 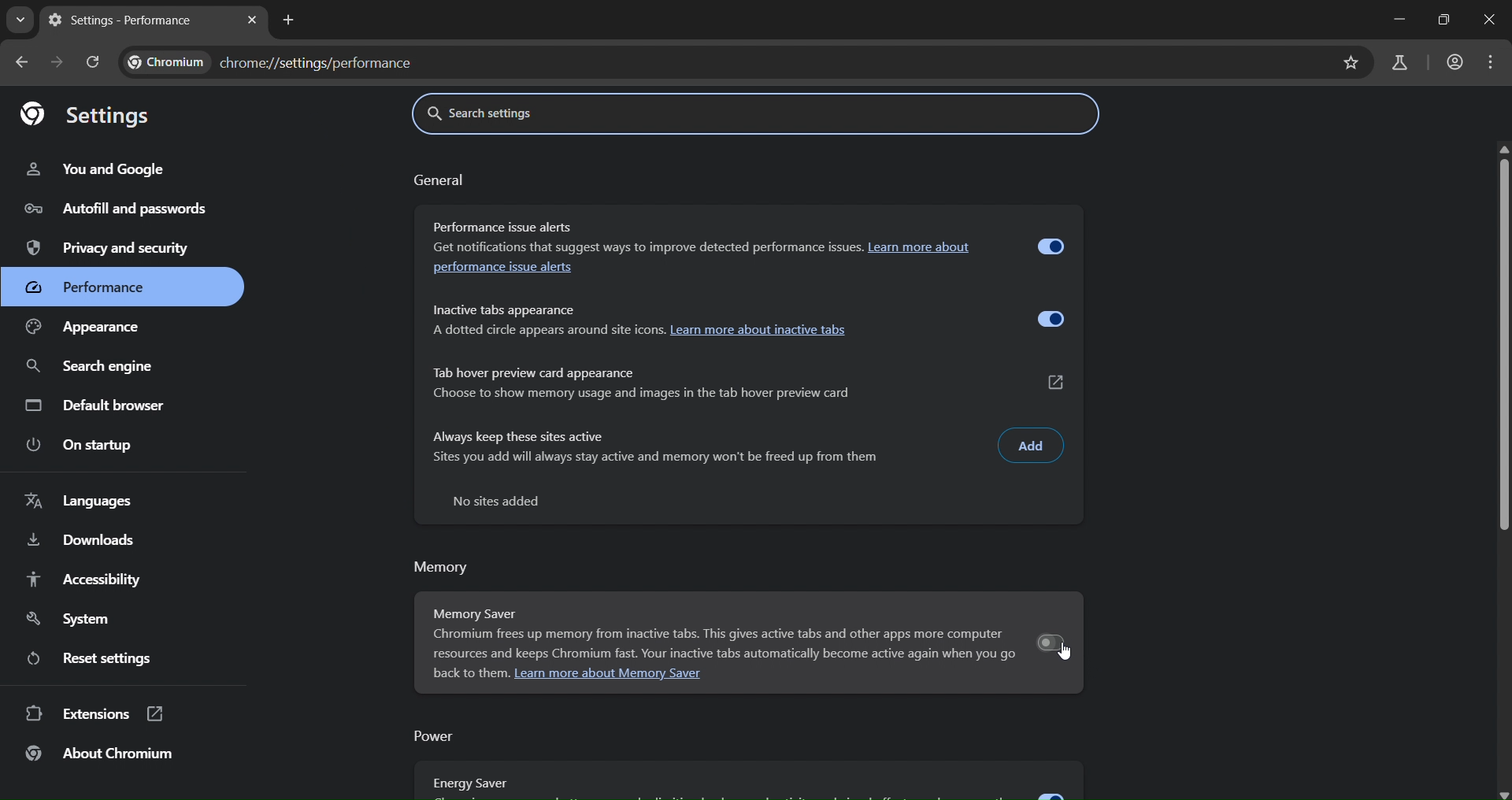 I want to click on Always keep these sites active Sites you add will always stay active and memory won't be freed up from them, so click(x=660, y=453).